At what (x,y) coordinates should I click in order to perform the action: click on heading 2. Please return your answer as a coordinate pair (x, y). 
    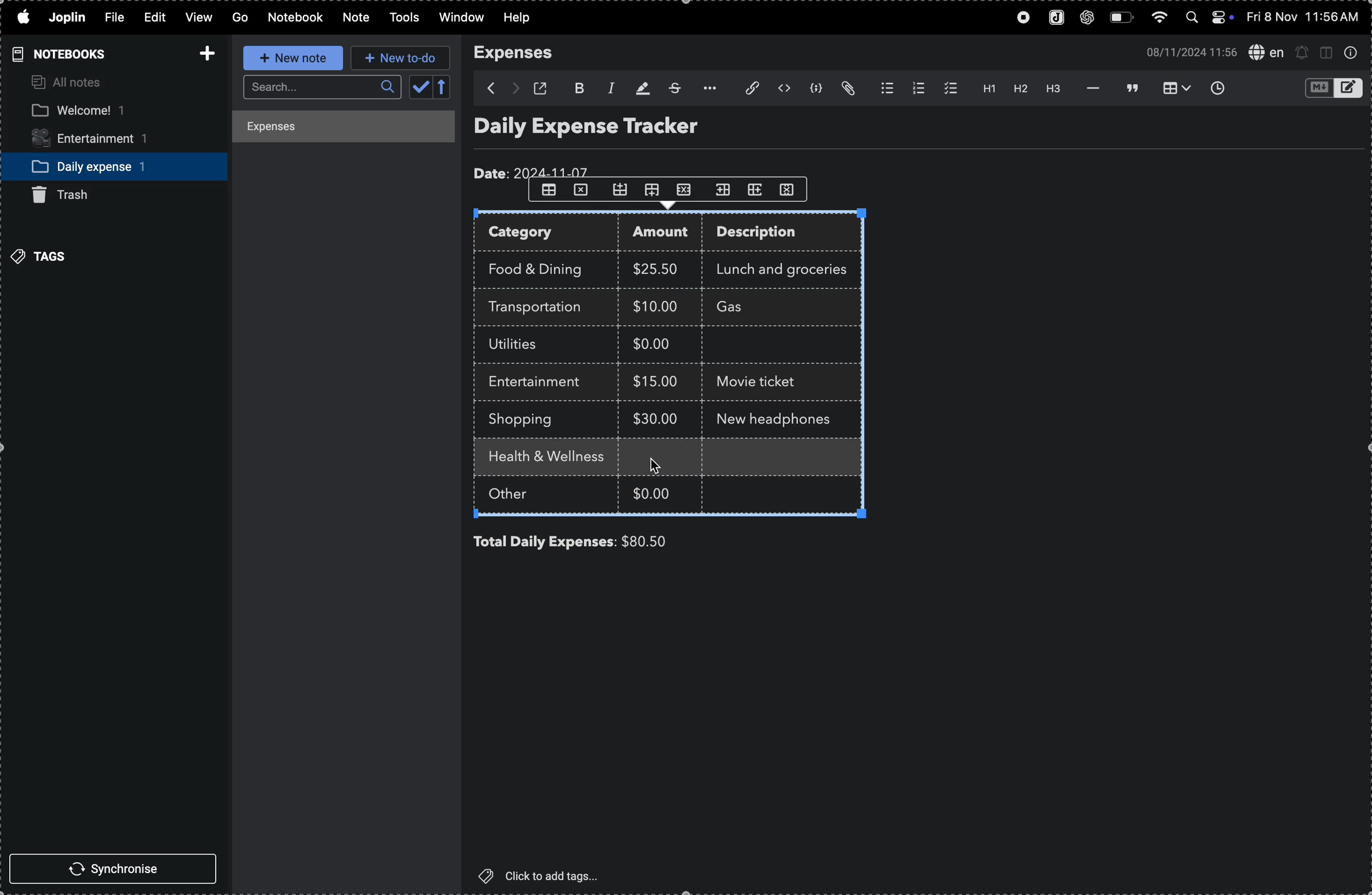
    Looking at the image, I should click on (1020, 91).